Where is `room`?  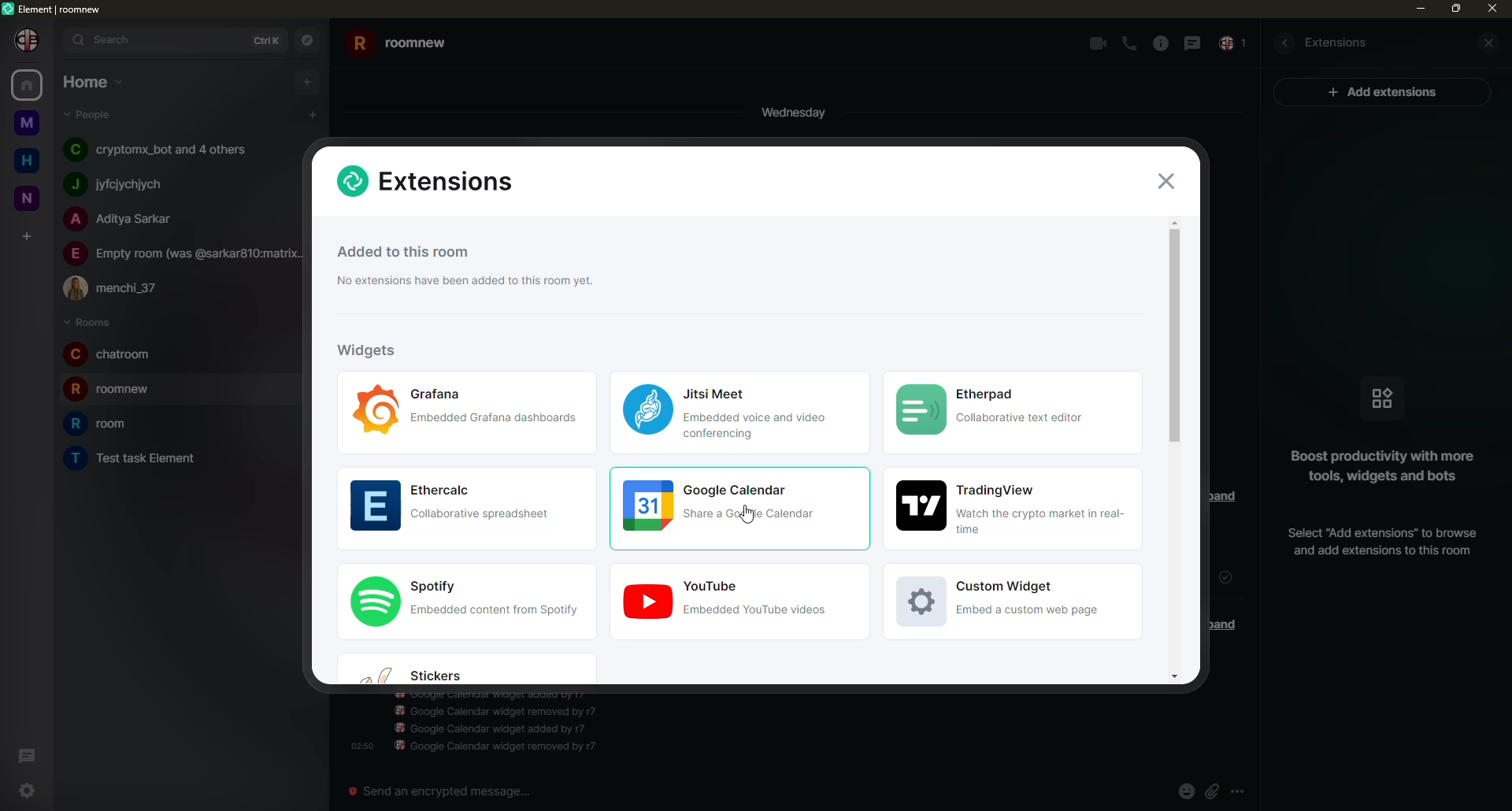 room is located at coordinates (30, 198).